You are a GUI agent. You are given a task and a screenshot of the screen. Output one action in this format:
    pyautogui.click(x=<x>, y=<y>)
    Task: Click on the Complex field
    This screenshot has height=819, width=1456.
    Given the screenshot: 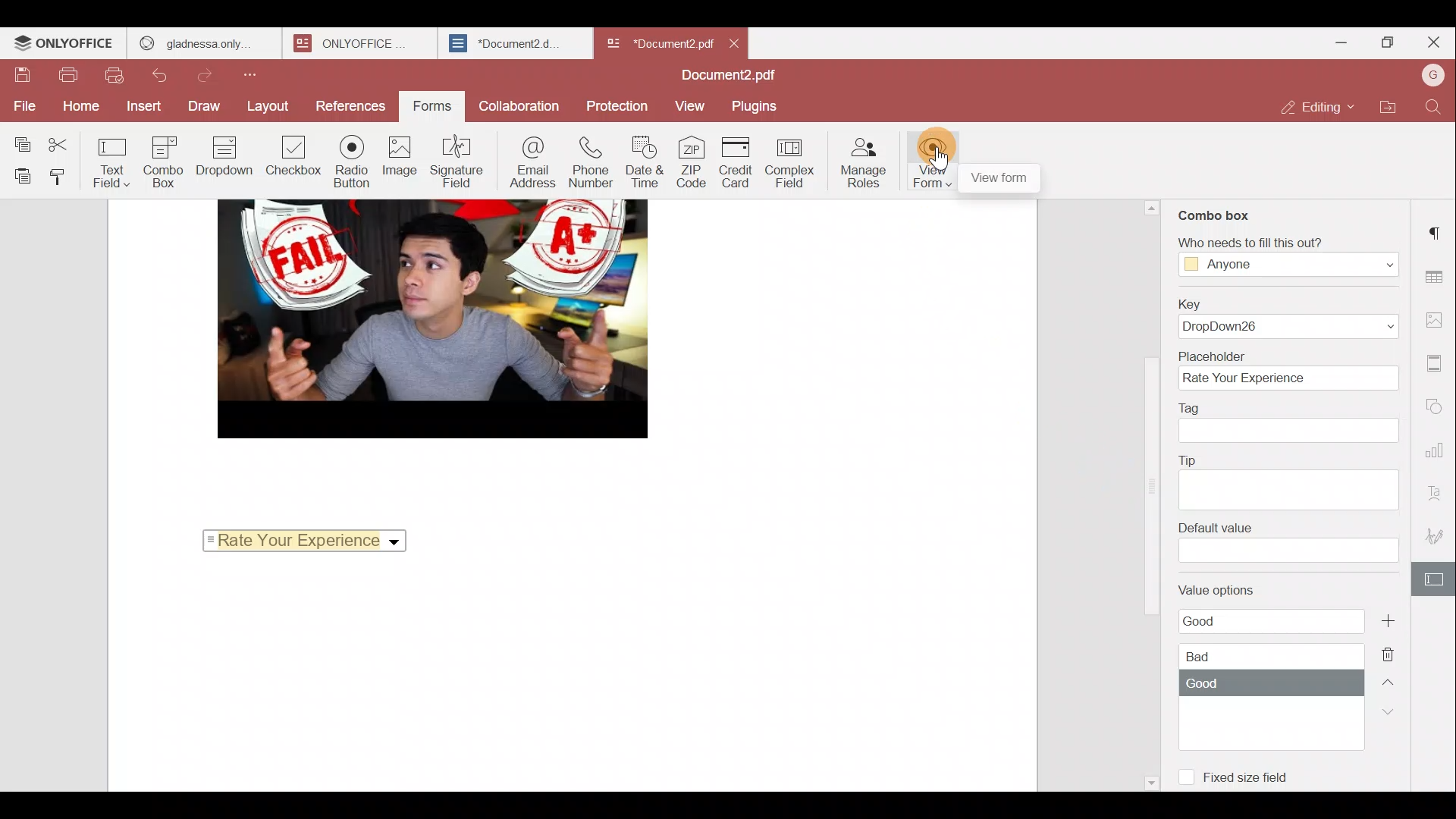 What is the action you would take?
    pyautogui.click(x=792, y=165)
    